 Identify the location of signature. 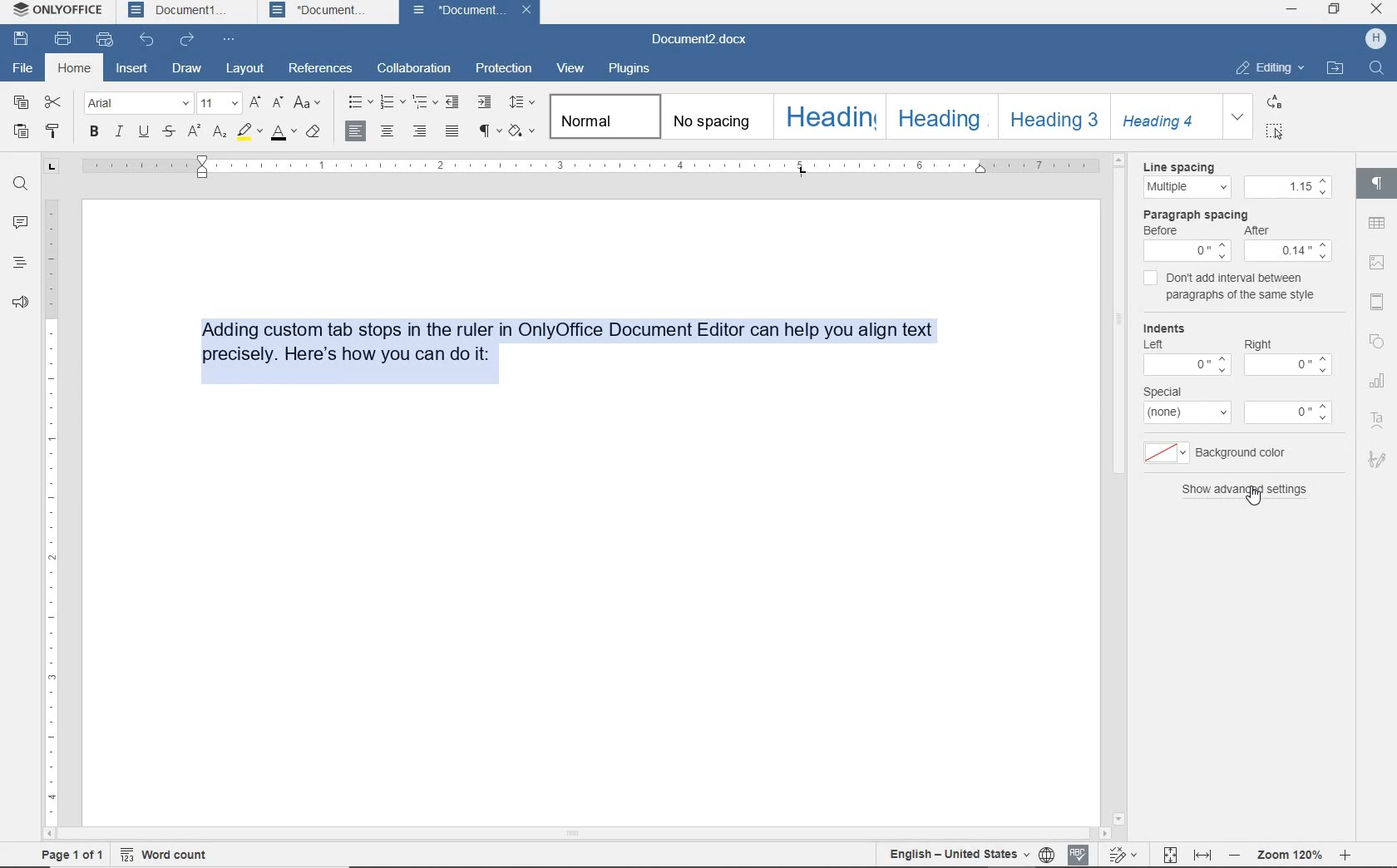
(1379, 456).